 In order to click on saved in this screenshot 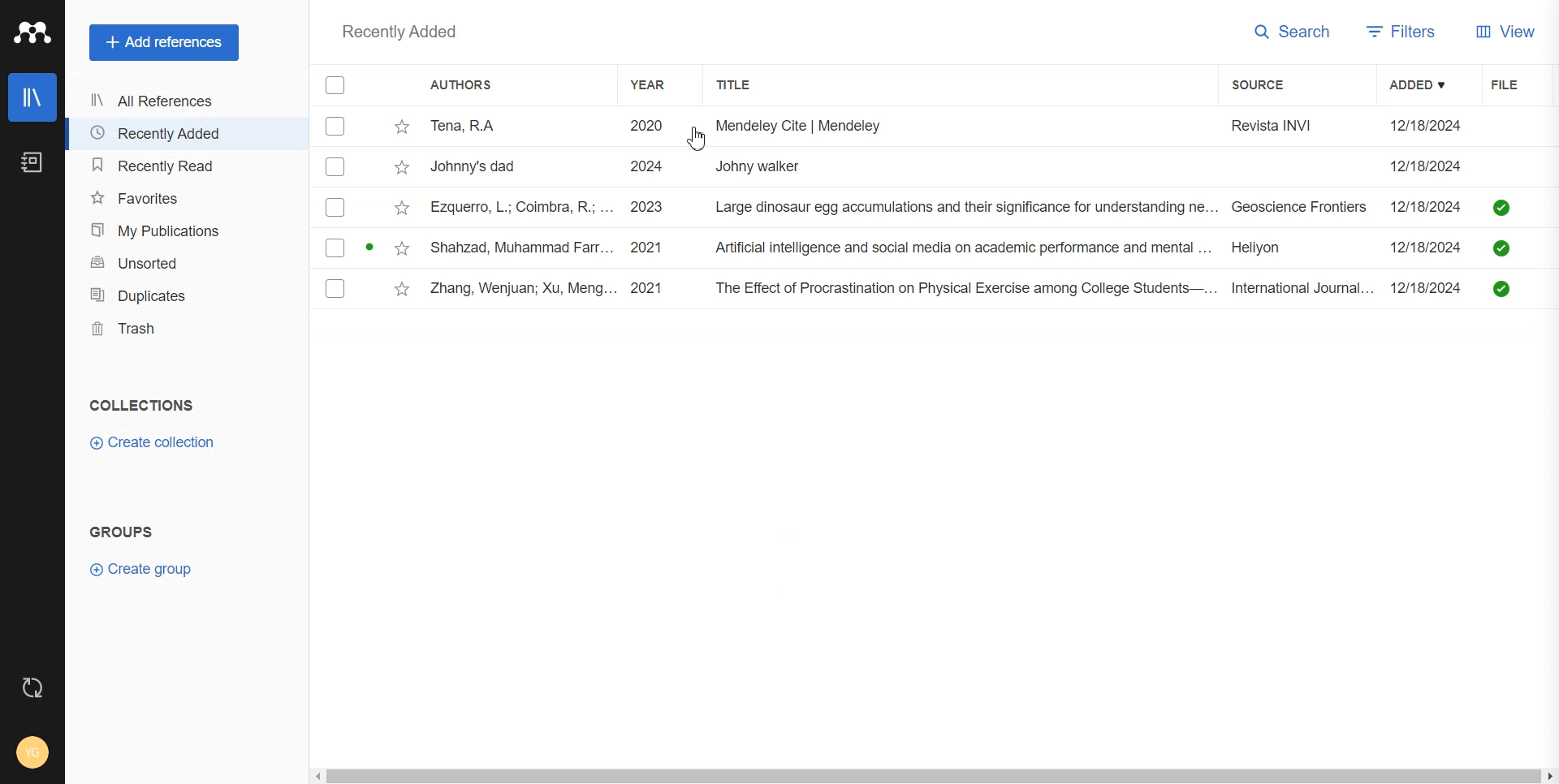, I will do `click(1501, 288)`.